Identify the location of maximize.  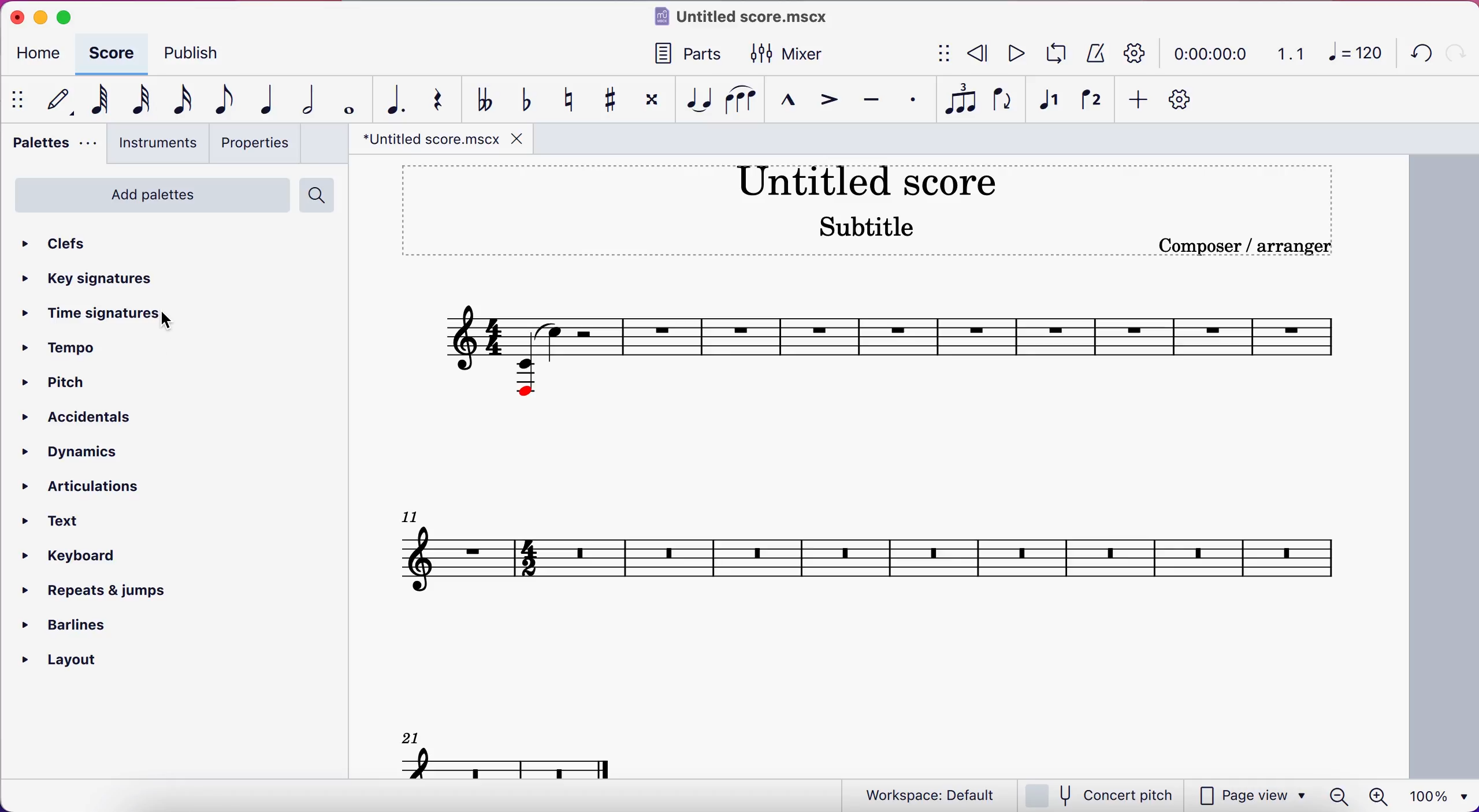
(74, 16).